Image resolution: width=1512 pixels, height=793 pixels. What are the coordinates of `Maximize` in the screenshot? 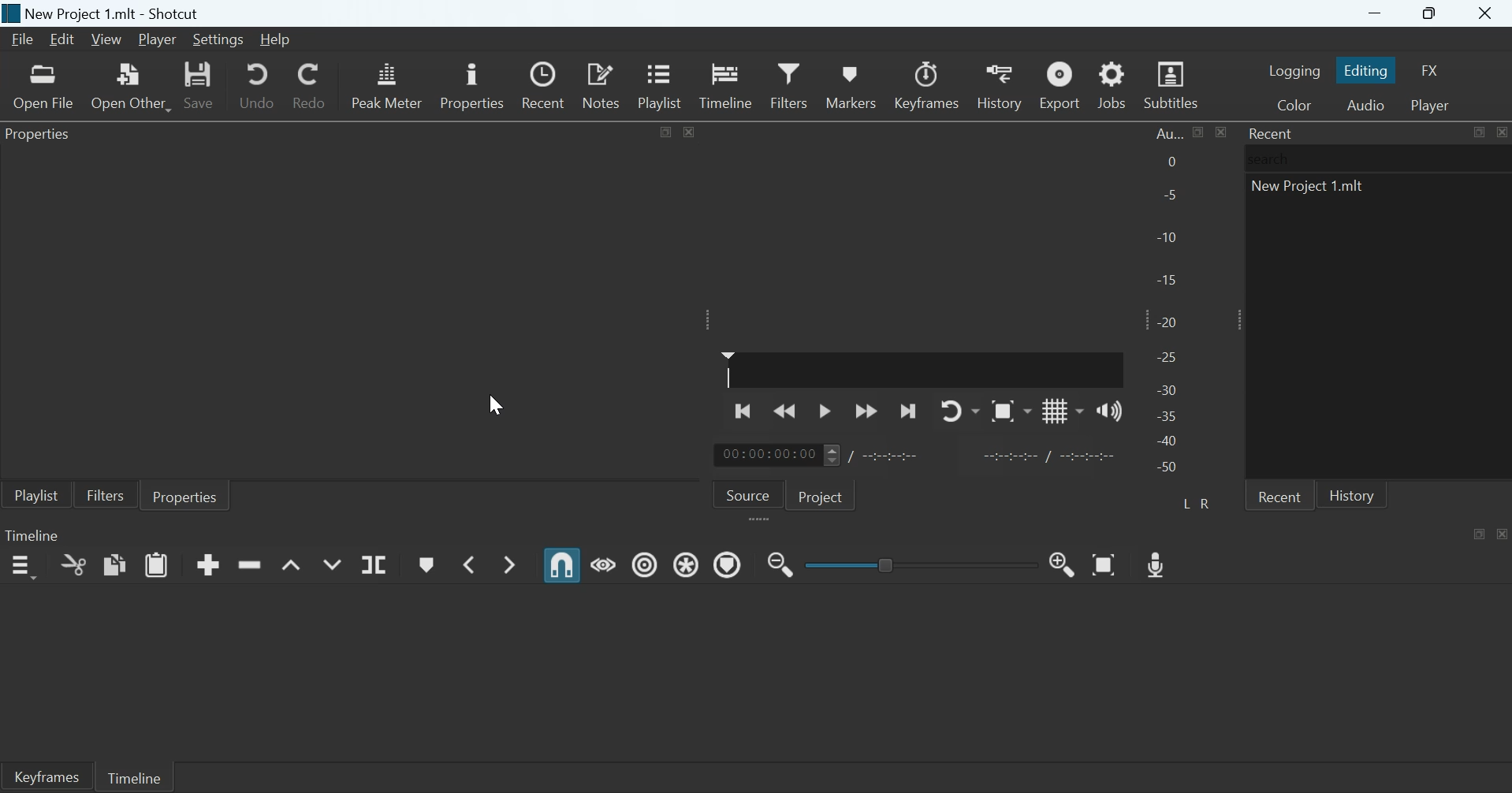 It's located at (1432, 14).